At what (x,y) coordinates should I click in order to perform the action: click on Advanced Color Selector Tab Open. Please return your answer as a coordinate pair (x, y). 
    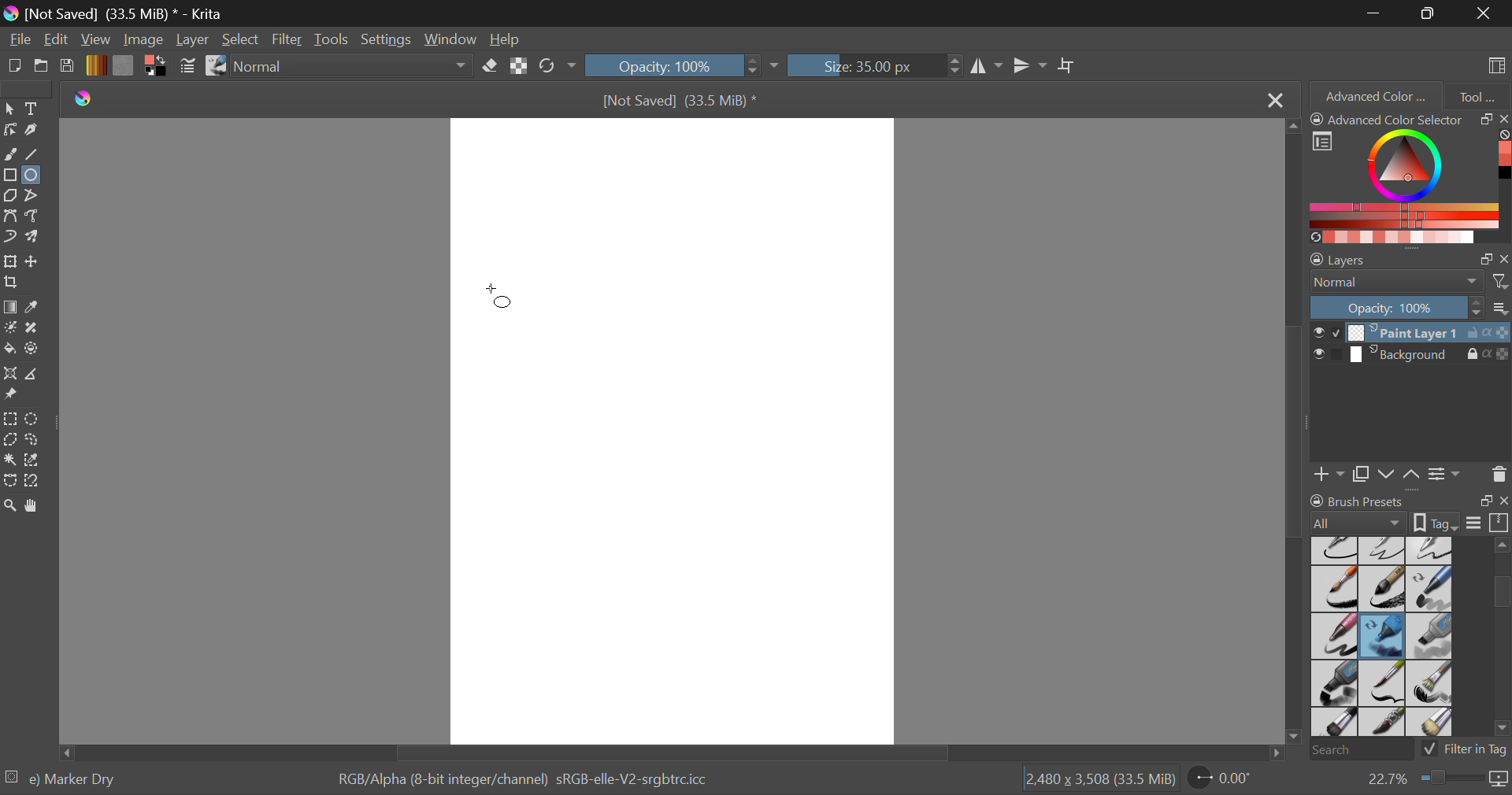
    Looking at the image, I should click on (1374, 95).